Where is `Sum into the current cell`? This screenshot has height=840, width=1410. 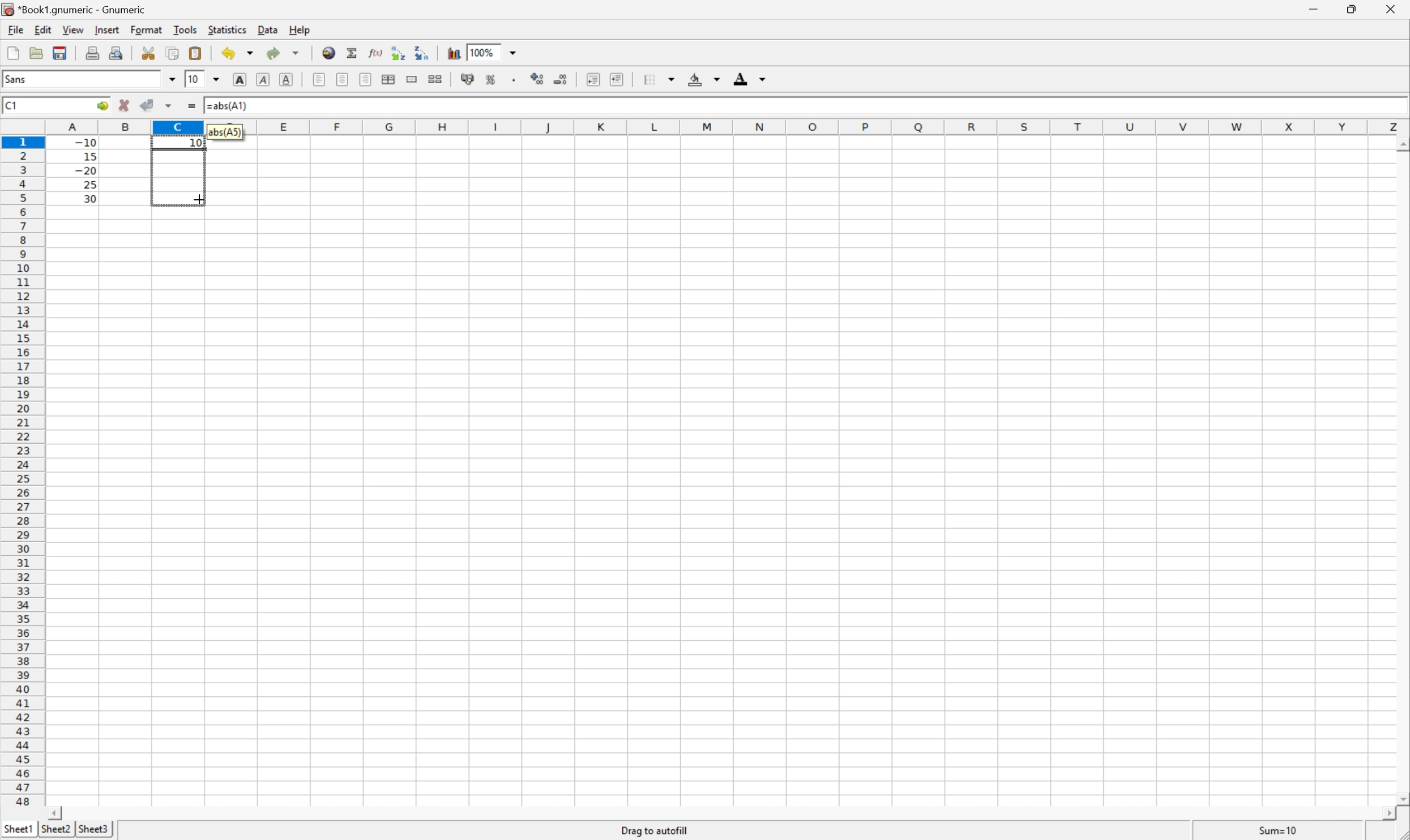 Sum into the current cell is located at coordinates (353, 53).